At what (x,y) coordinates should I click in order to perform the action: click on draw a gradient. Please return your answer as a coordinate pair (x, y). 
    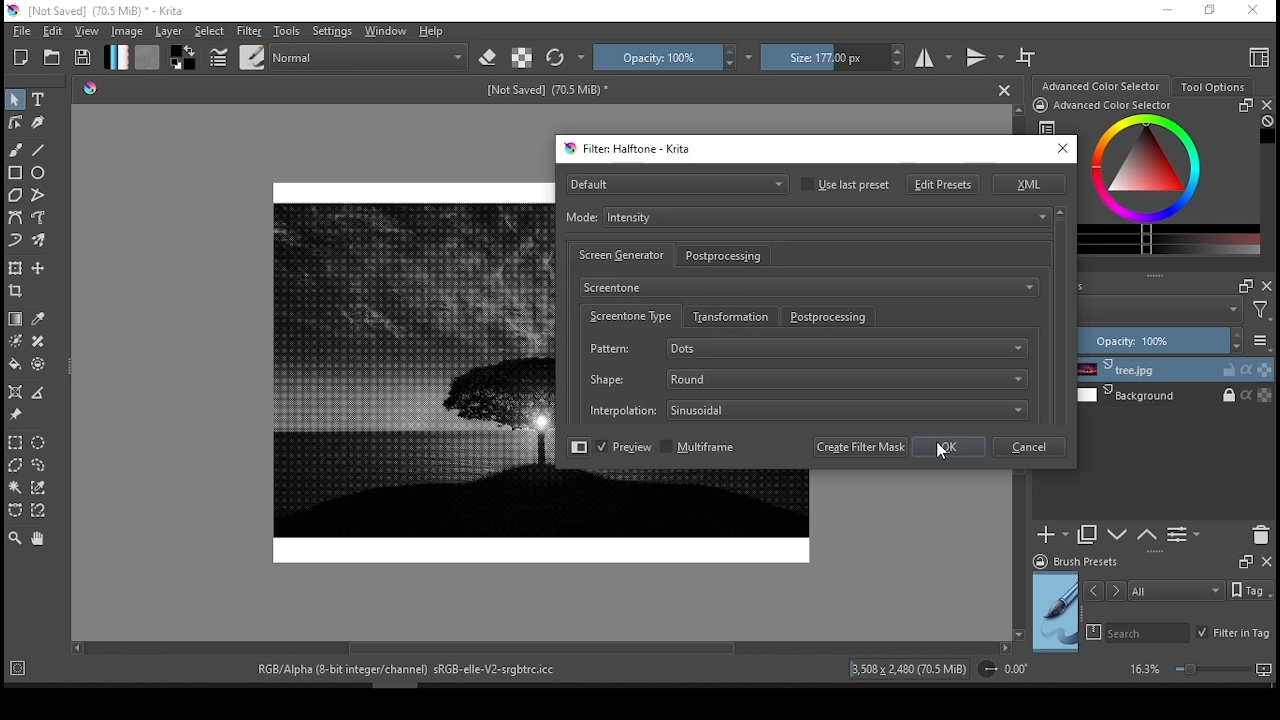
    Looking at the image, I should click on (15, 318).